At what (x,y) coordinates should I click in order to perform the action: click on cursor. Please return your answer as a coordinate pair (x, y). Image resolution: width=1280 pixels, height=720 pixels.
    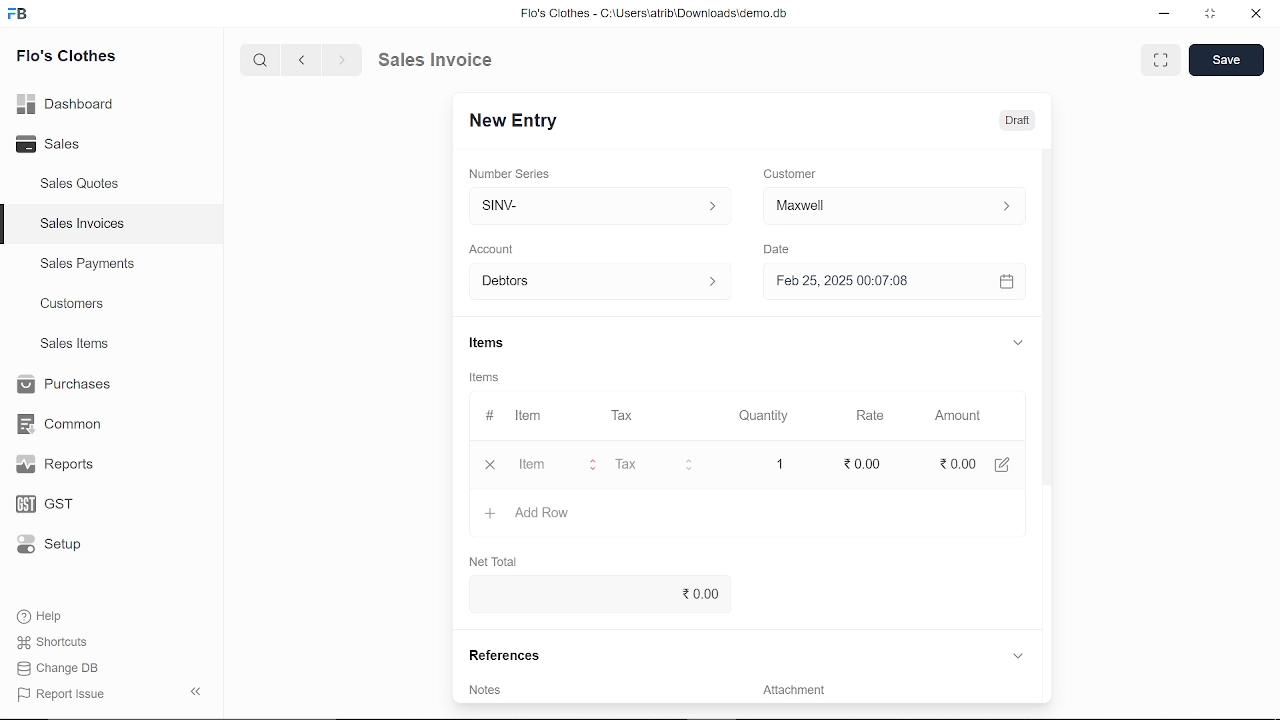
    Looking at the image, I should click on (541, 467).